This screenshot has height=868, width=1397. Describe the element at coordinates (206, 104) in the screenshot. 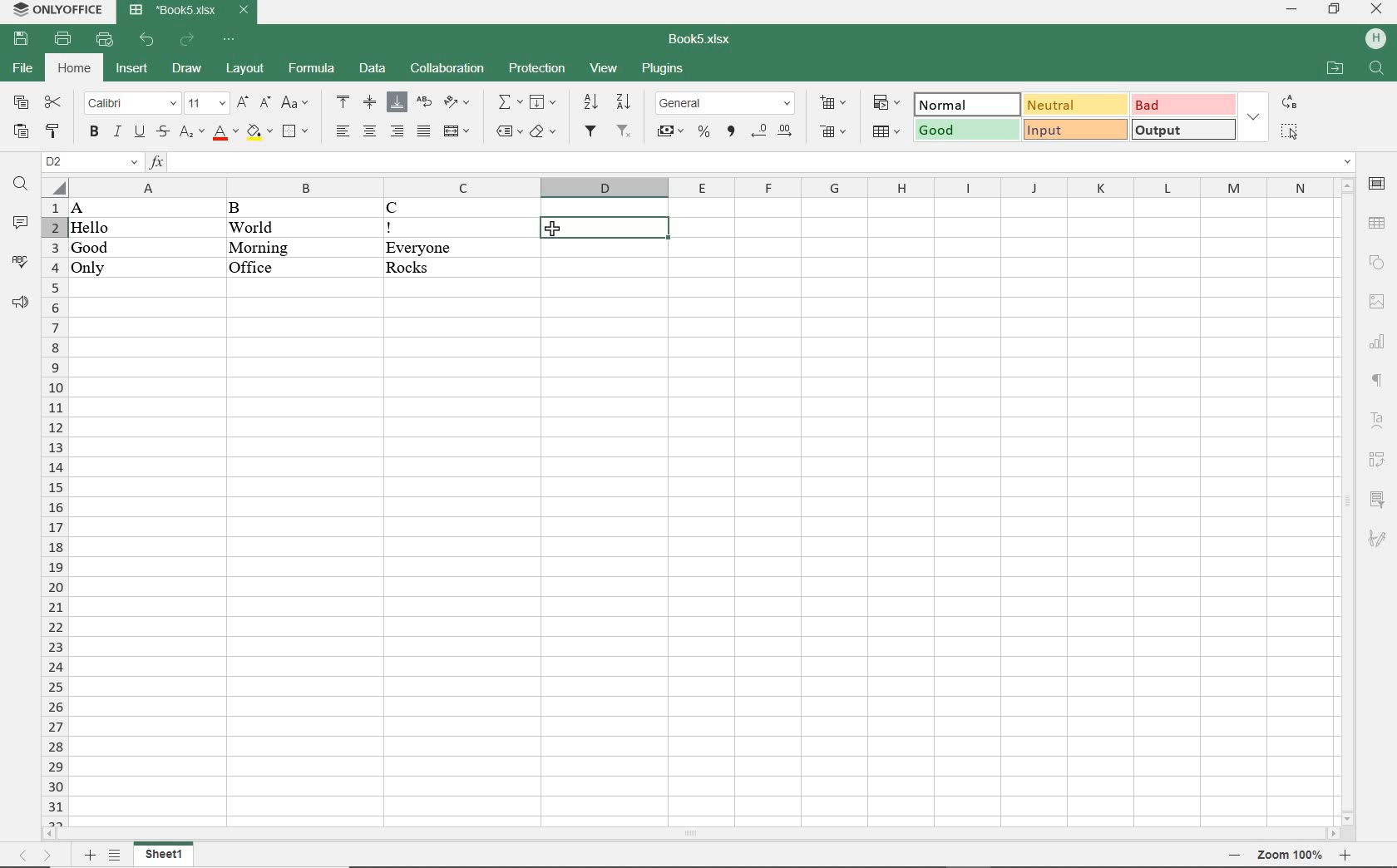

I see `font size` at that location.